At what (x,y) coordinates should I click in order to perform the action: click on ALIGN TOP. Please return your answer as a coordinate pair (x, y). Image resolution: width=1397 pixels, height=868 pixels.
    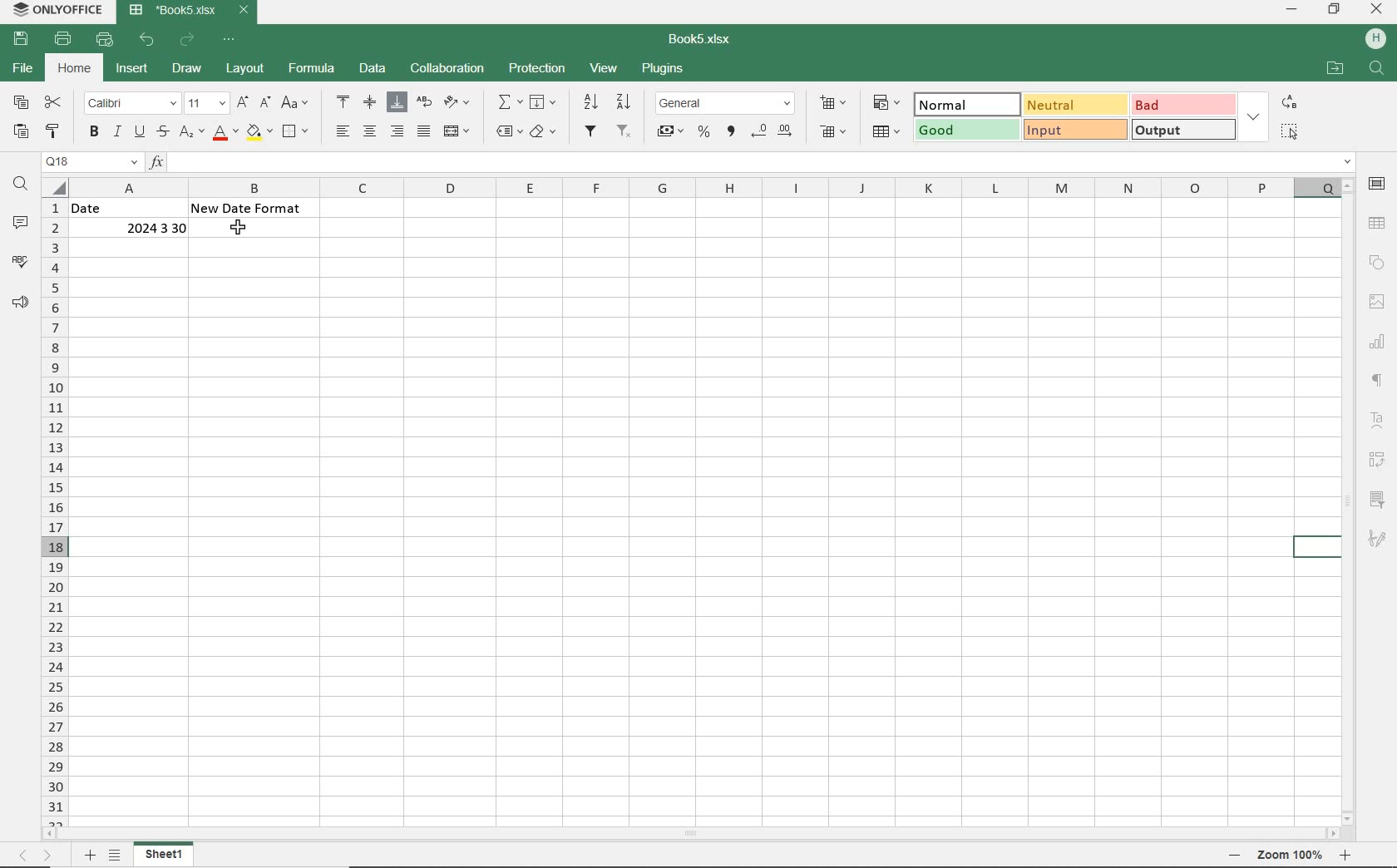
    Looking at the image, I should click on (343, 104).